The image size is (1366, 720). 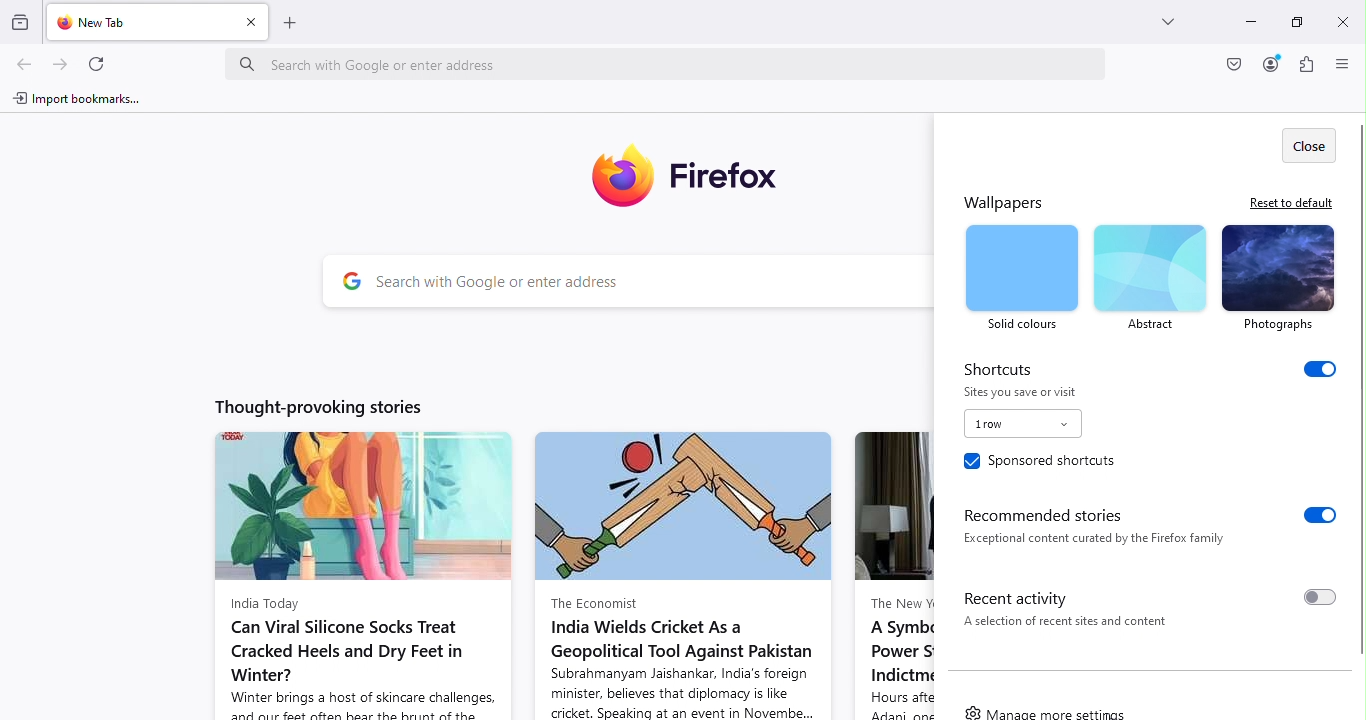 What do you see at coordinates (1098, 540) in the screenshot?
I see `Exceptional content curated by the Firefox family` at bounding box center [1098, 540].